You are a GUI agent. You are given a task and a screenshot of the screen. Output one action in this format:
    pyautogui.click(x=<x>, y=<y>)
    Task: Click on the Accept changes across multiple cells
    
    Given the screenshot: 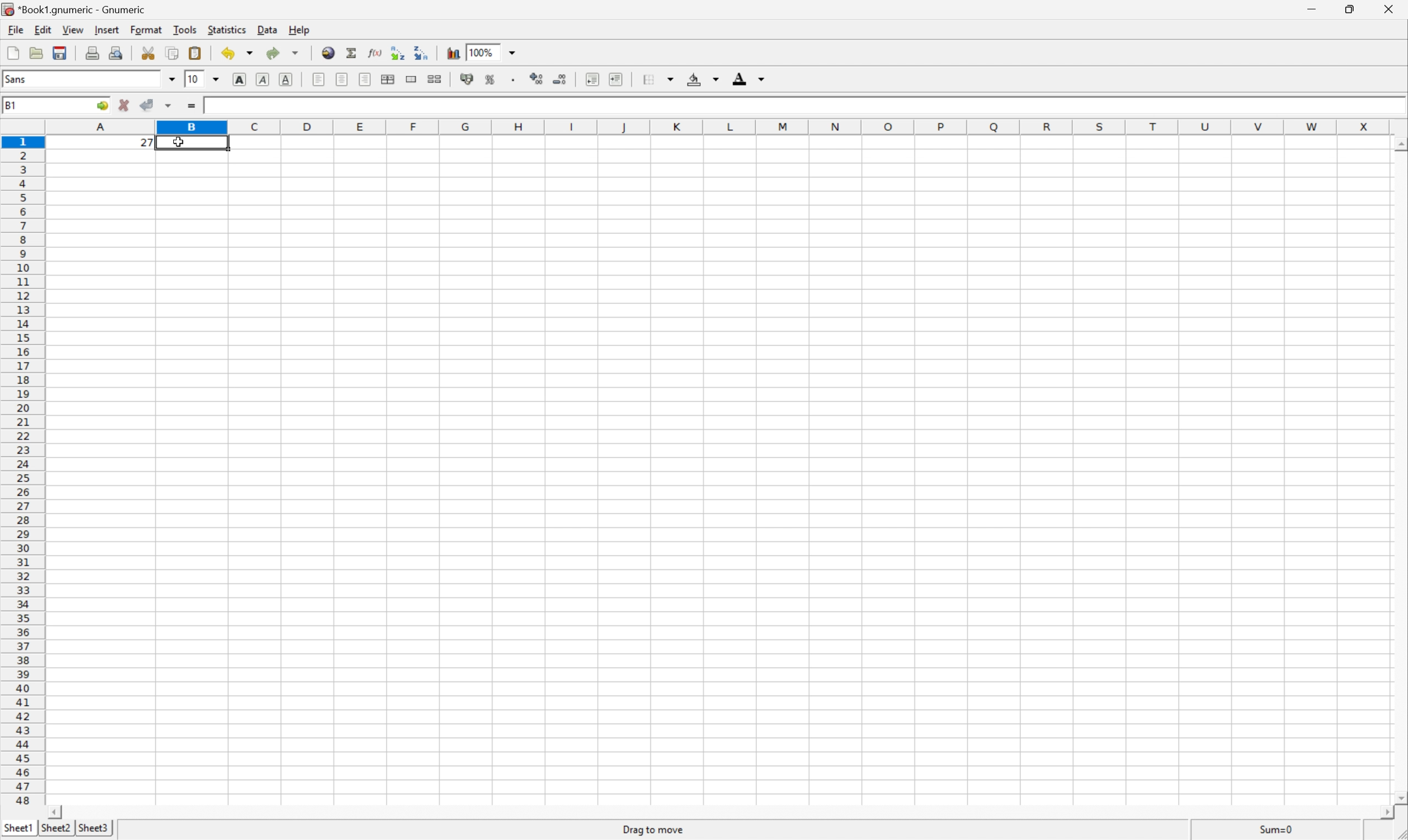 What is the action you would take?
    pyautogui.click(x=169, y=106)
    